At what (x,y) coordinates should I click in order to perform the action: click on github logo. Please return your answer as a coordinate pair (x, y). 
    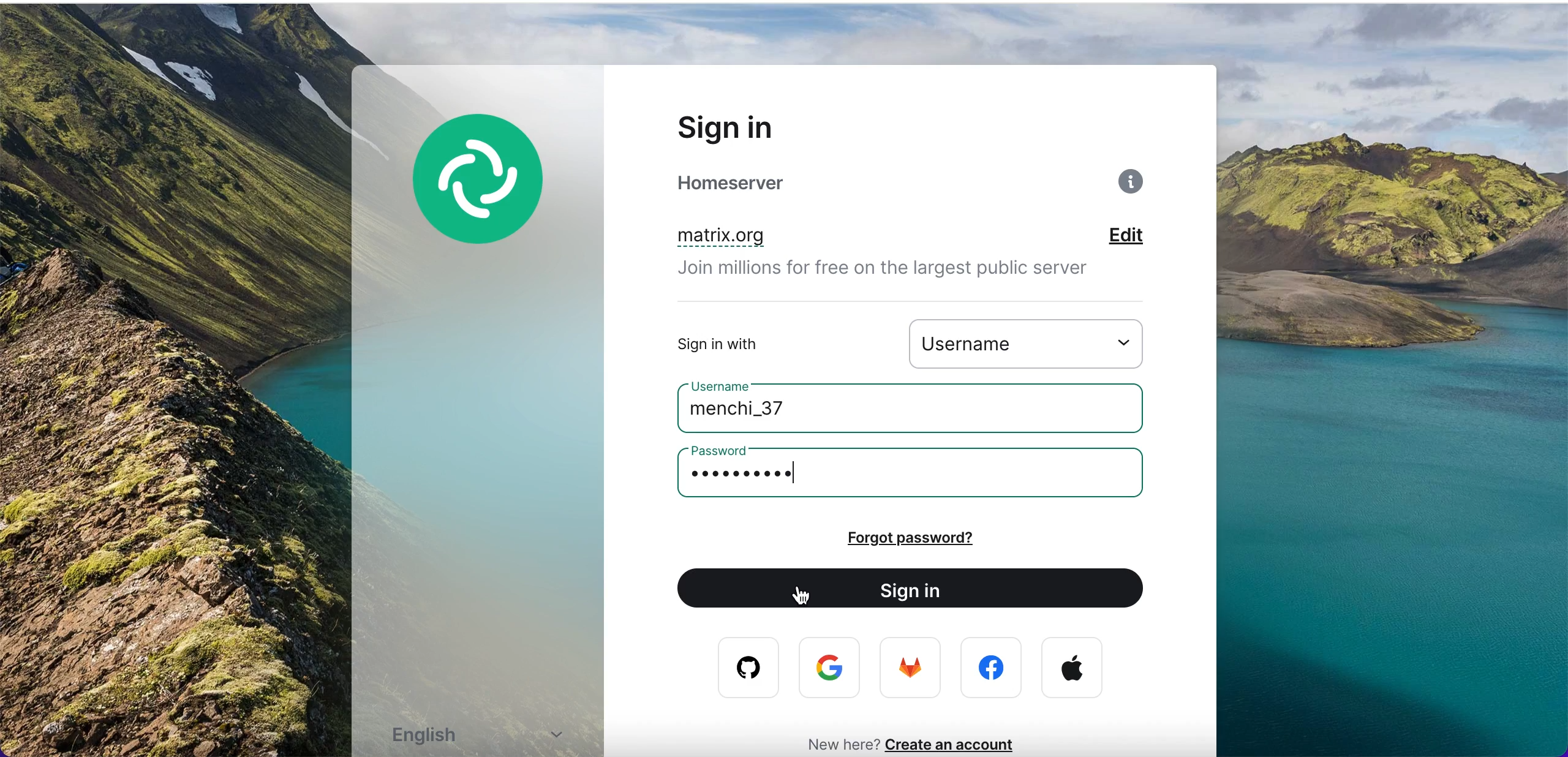
    Looking at the image, I should click on (740, 668).